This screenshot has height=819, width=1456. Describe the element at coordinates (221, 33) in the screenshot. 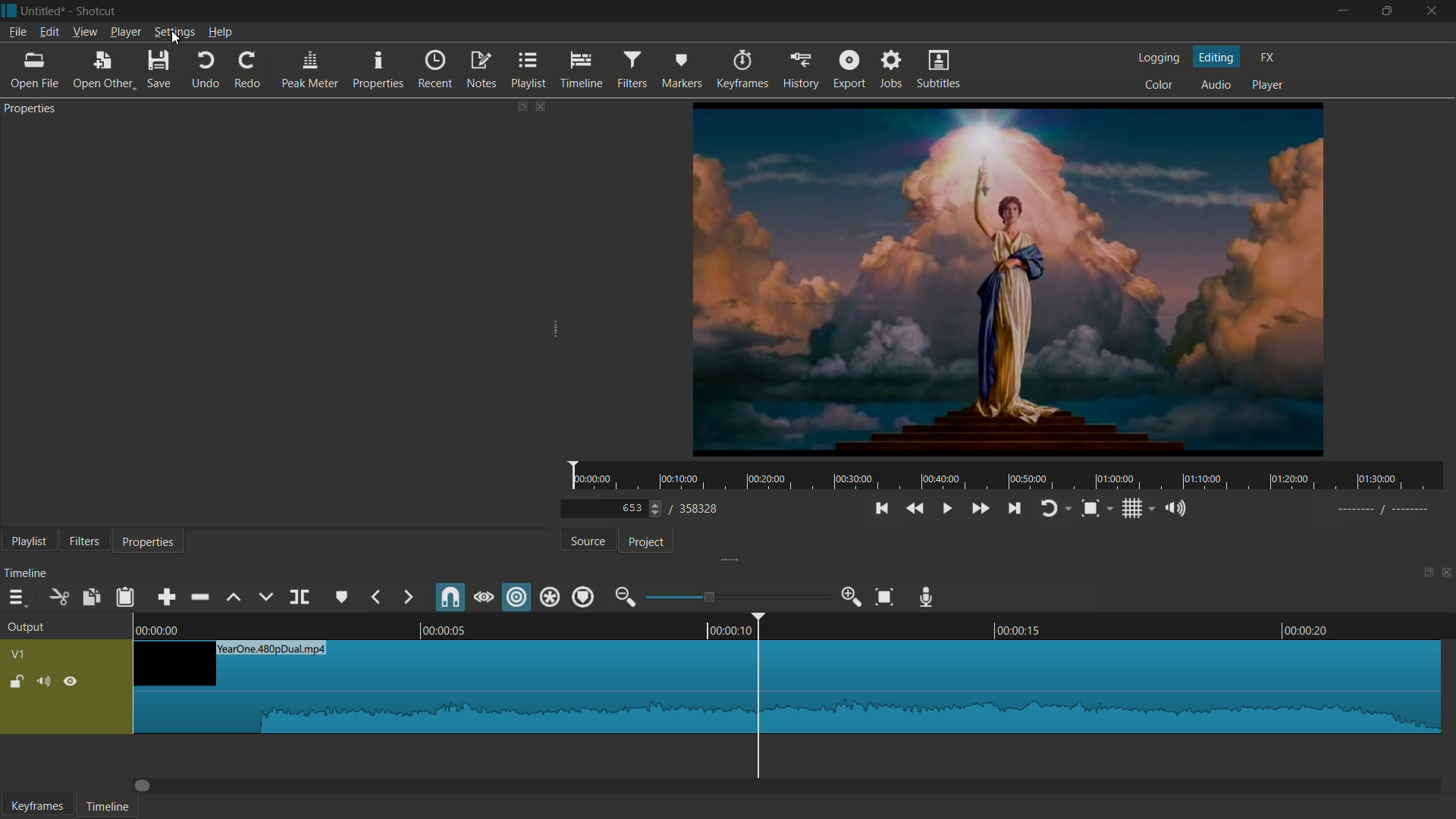

I see `help menu` at that location.